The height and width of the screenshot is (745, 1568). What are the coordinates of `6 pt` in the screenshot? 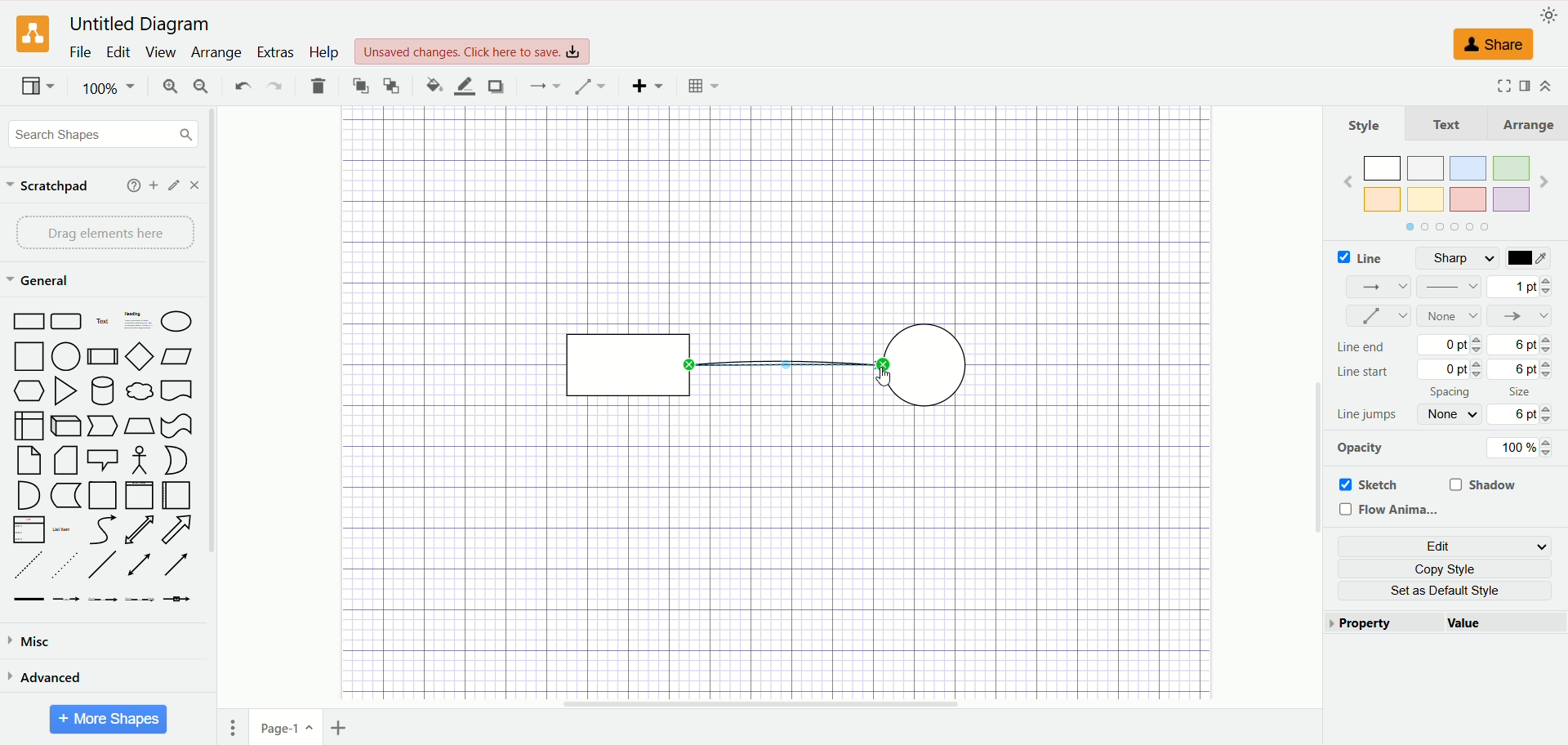 It's located at (1526, 414).